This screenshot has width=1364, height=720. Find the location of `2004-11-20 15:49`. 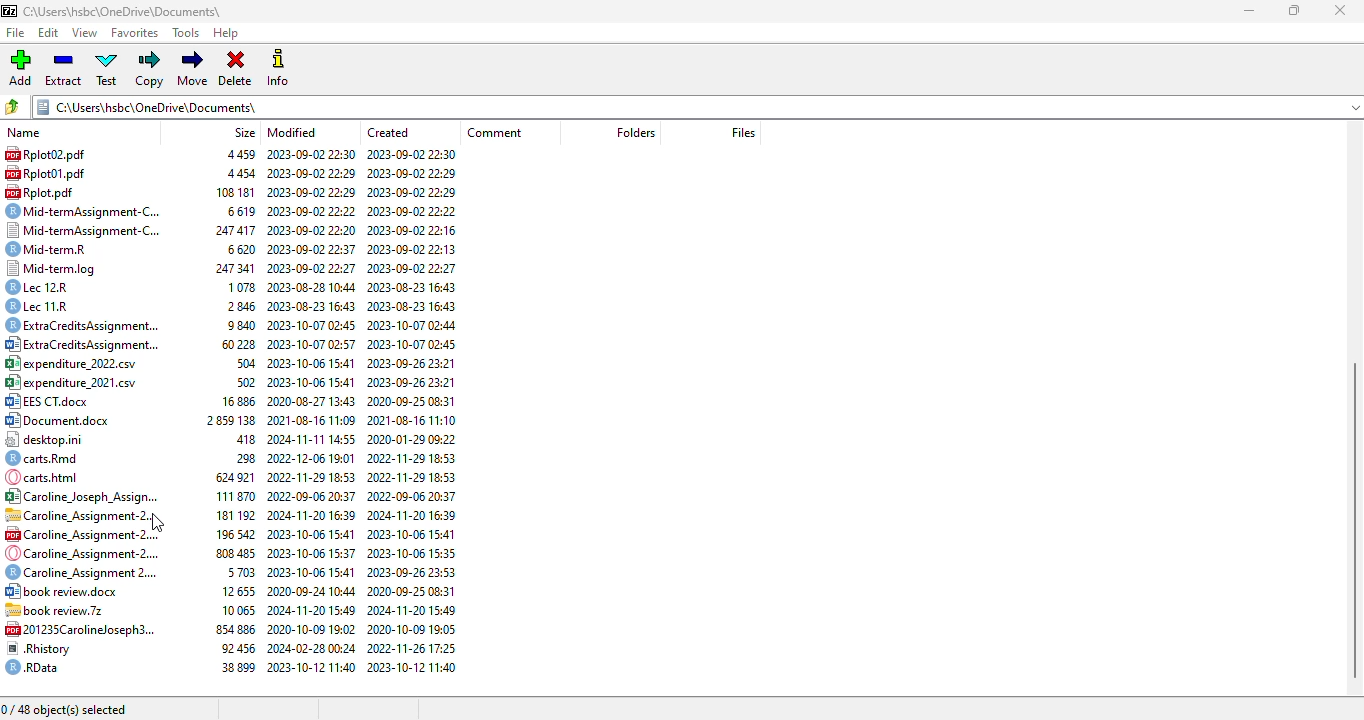

2004-11-20 15:49 is located at coordinates (410, 609).